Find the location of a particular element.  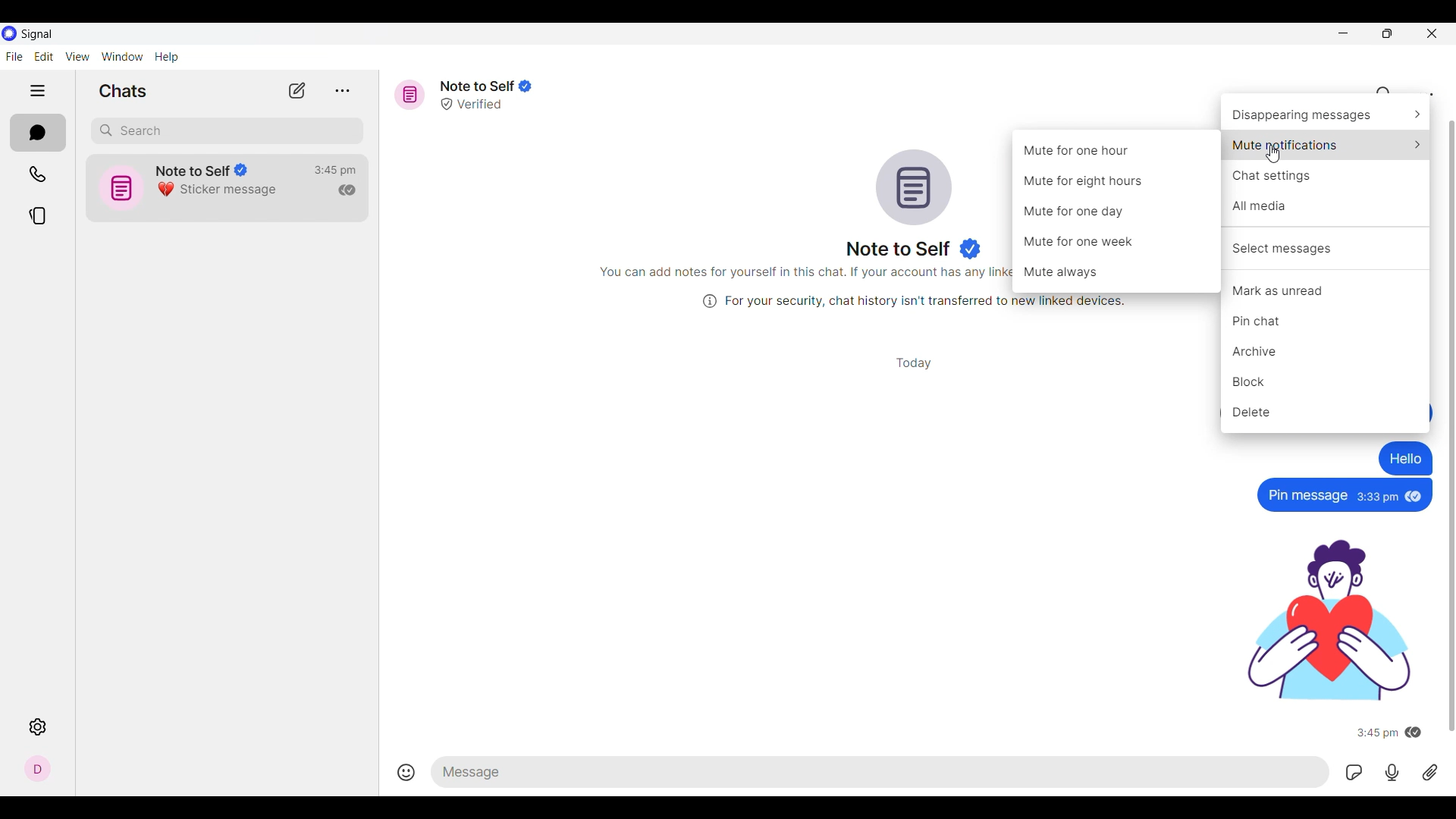

Record voice message is located at coordinates (1392, 772).